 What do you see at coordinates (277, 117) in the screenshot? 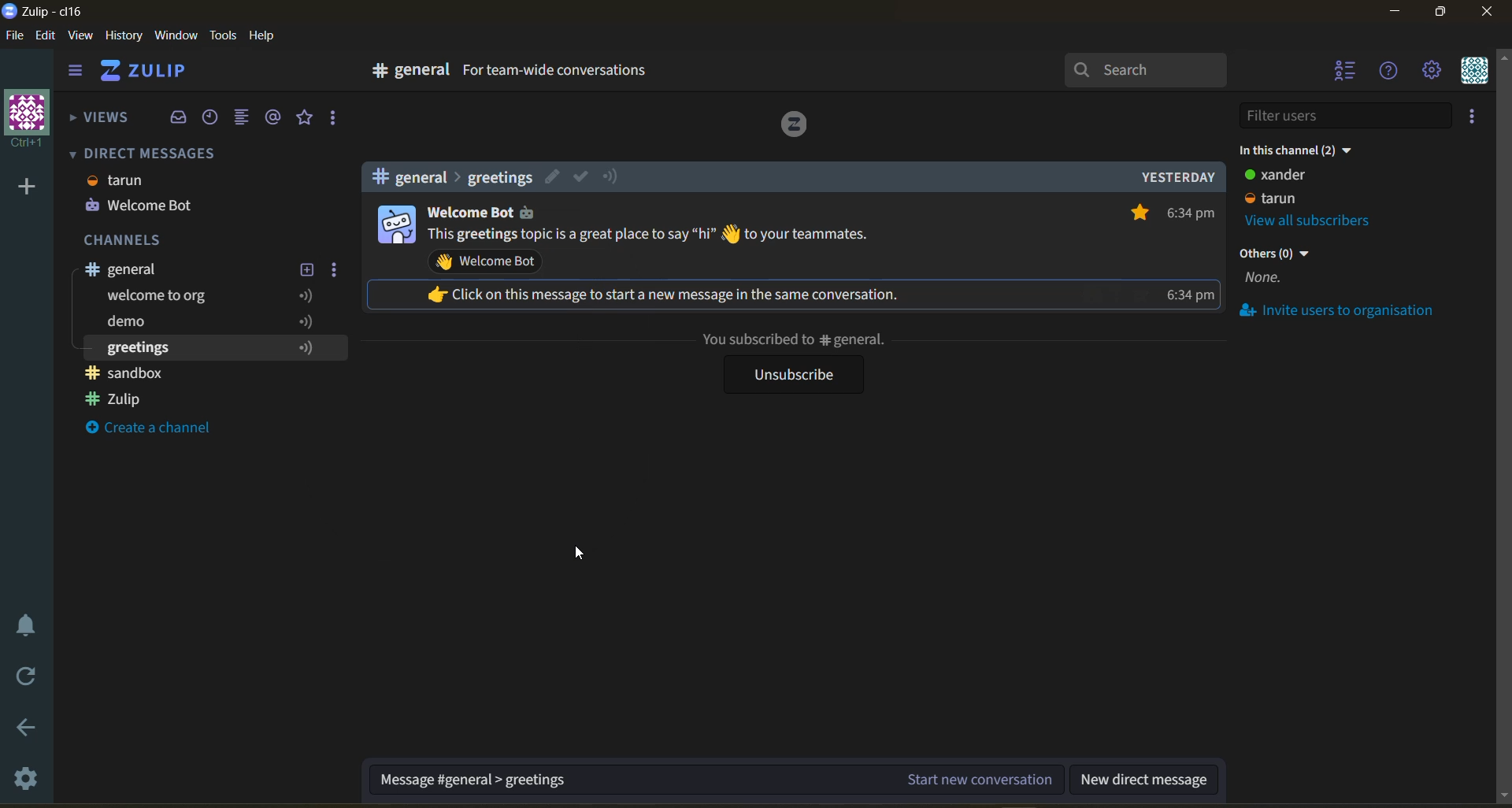
I see `mentions` at bounding box center [277, 117].